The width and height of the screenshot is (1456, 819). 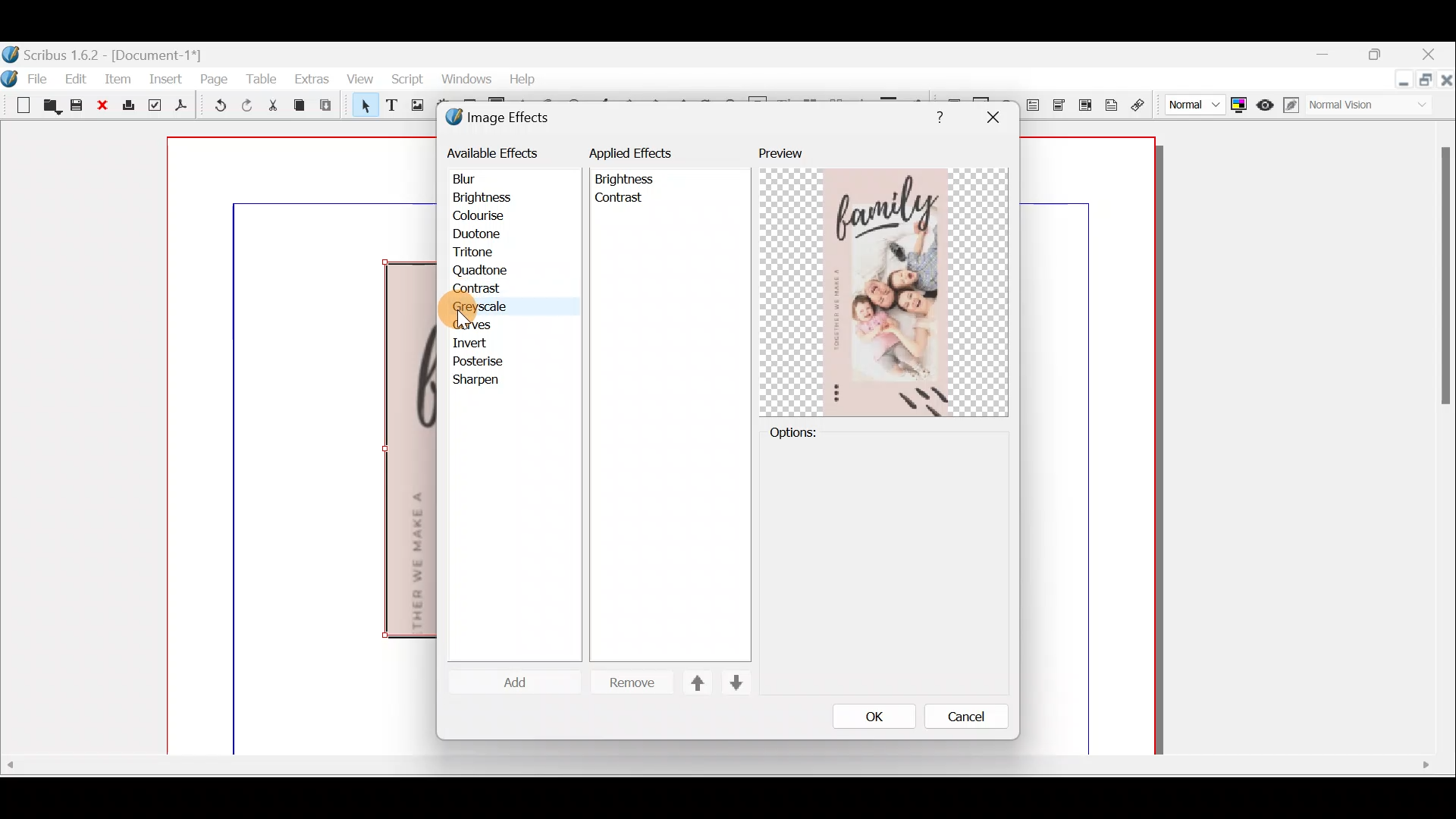 What do you see at coordinates (885, 562) in the screenshot?
I see `Options` at bounding box center [885, 562].